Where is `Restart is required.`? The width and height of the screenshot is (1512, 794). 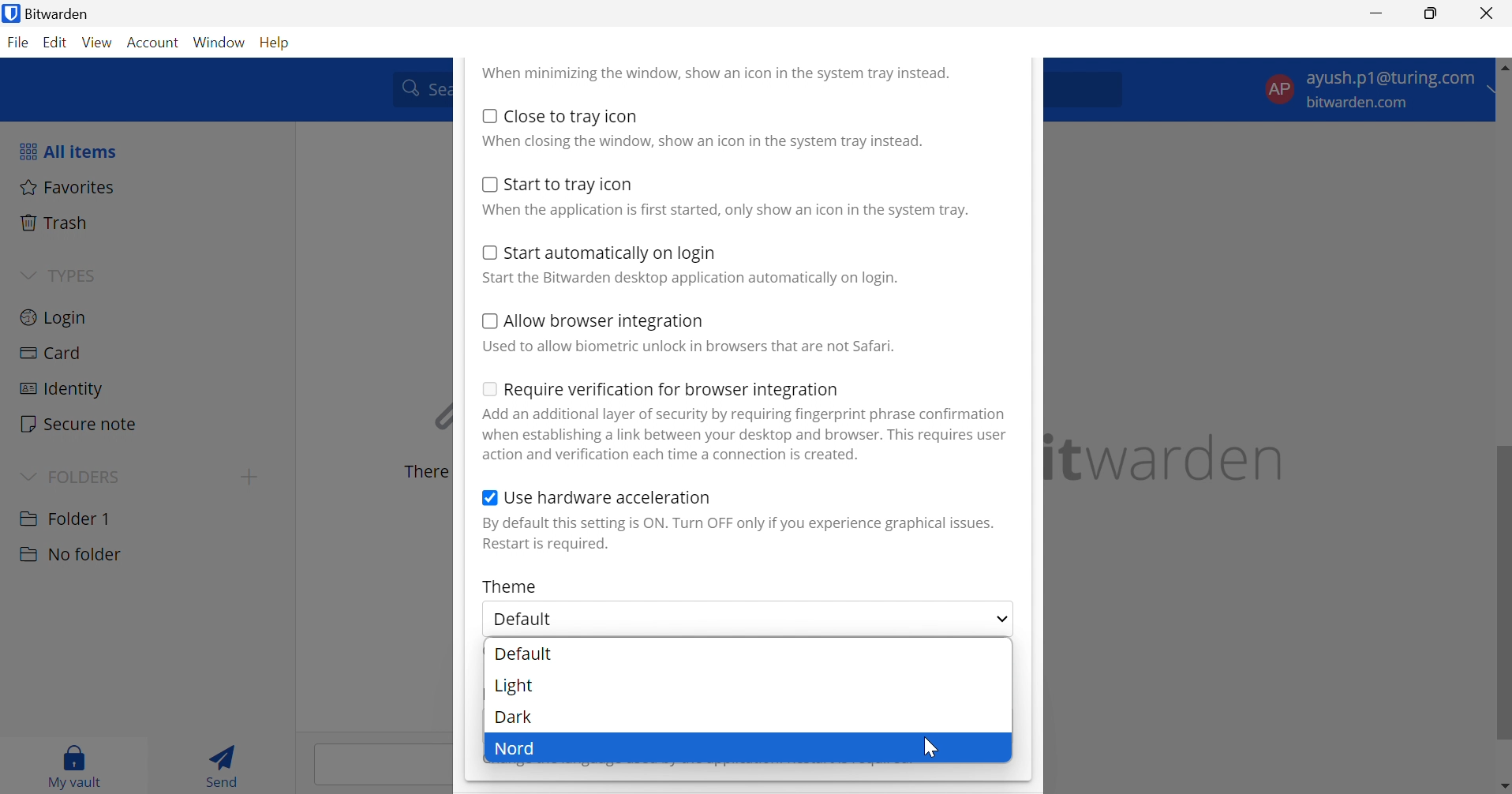 Restart is required. is located at coordinates (548, 545).